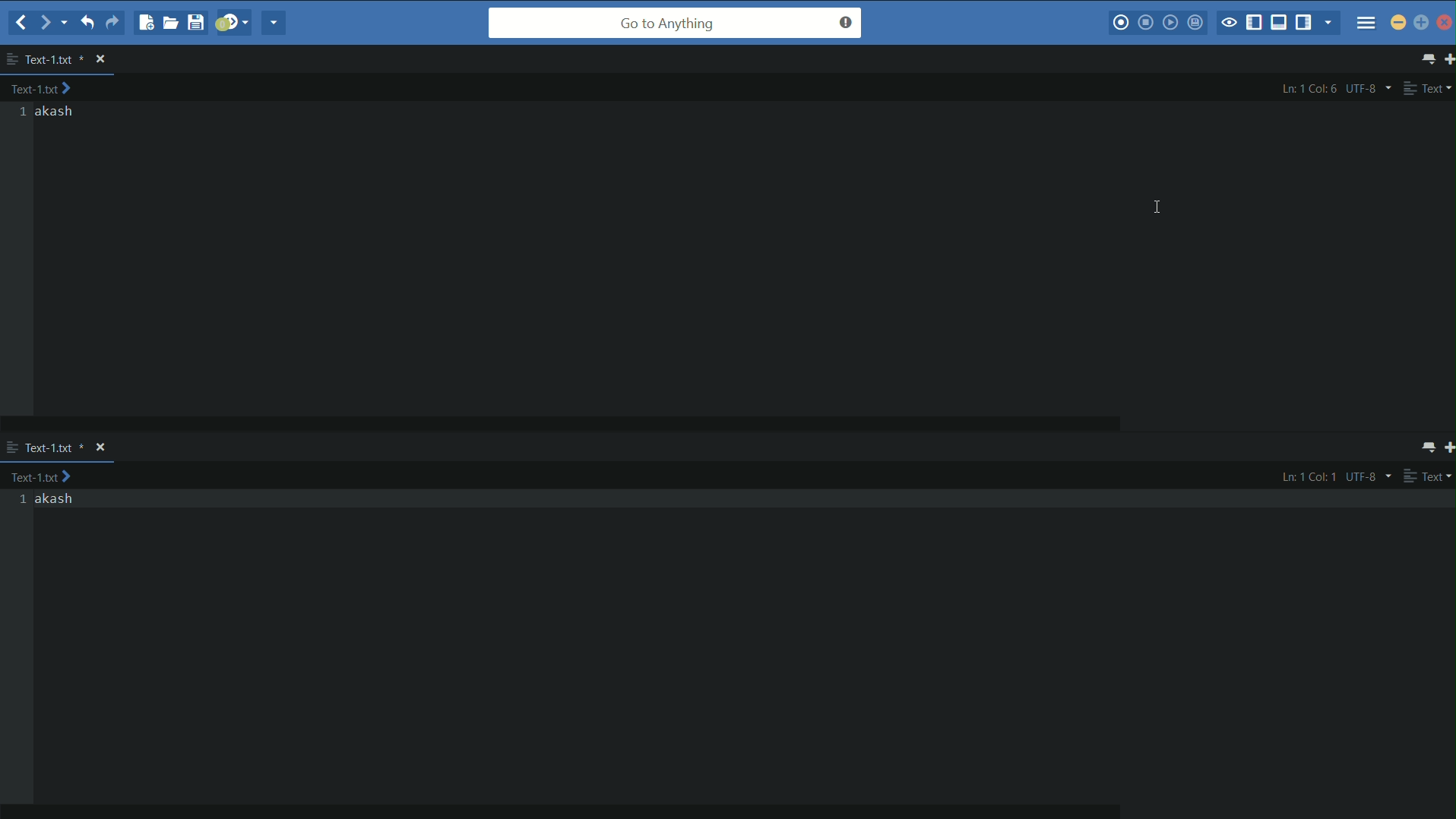 The height and width of the screenshot is (819, 1456). Describe the element at coordinates (1255, 24) in the screenshot. I see `show/hide left panel` at that location.